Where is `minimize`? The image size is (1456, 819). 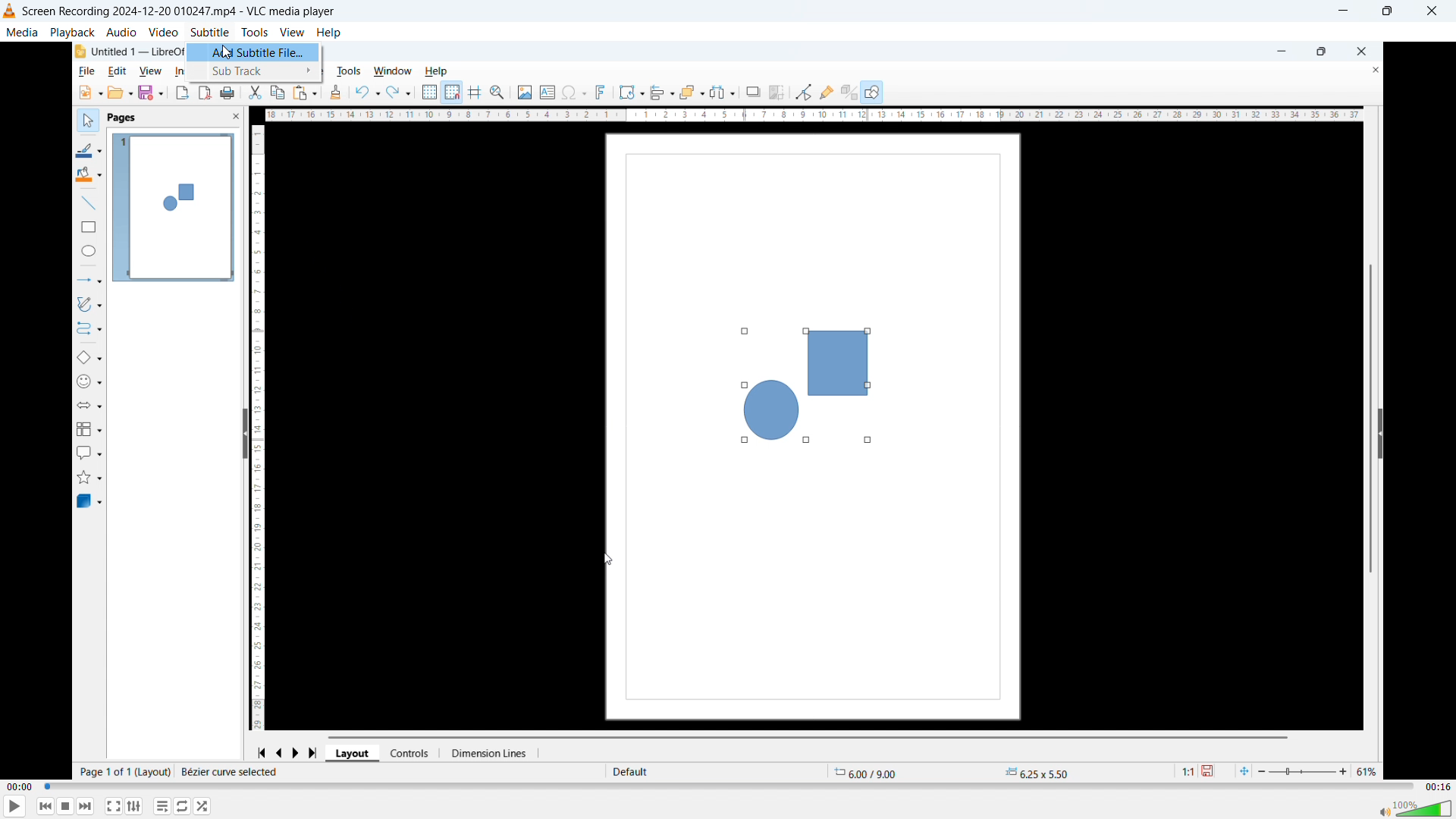
minimize is located at coordinates (1341, 12).